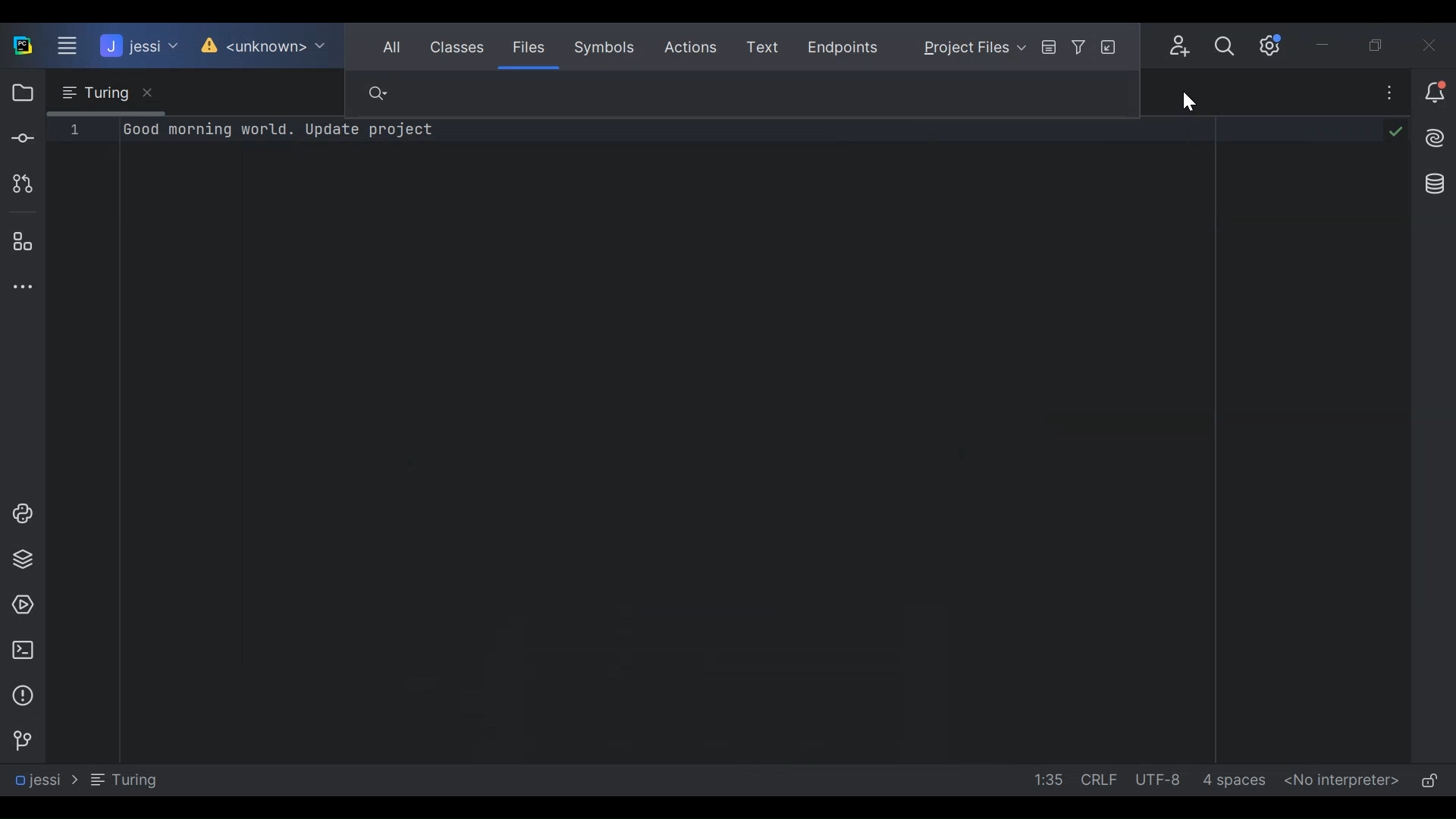 The height and width of the screenshot is (819, 1456). I want to click on Project Files, so click(974, 47).